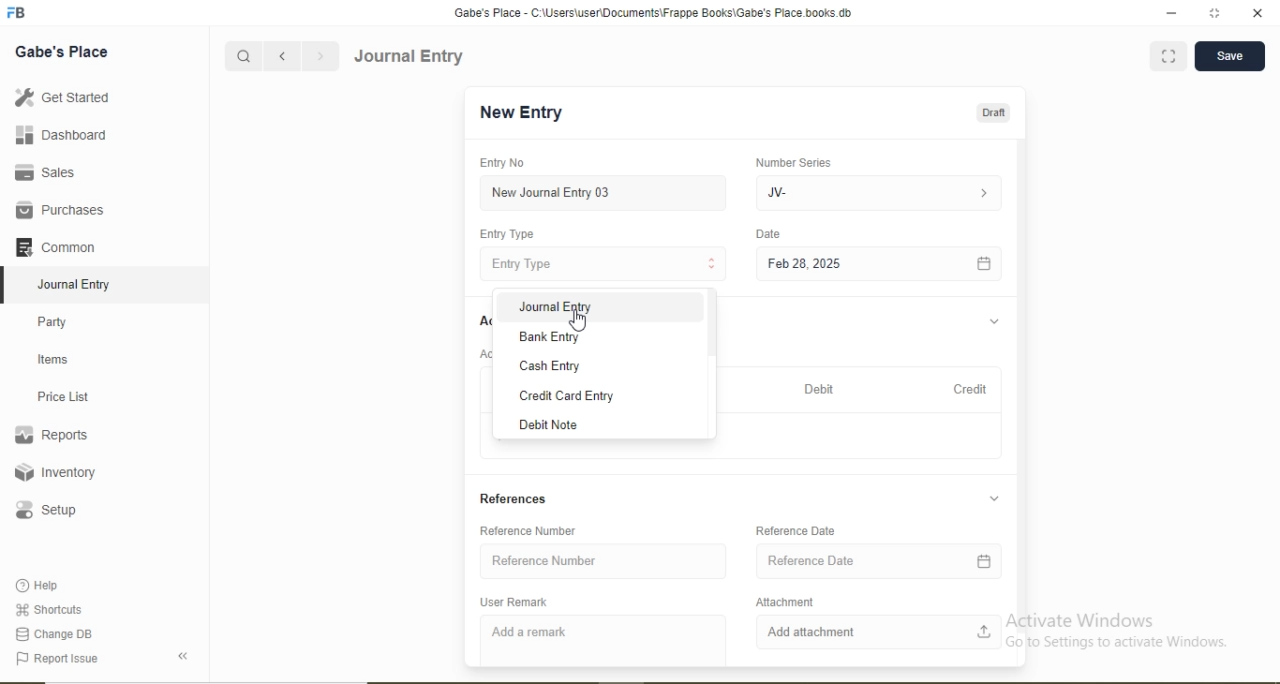 The image size is (1280, 684). Describe the element at coordinates (76, 285) in the screenshot. I see `Journal Entry` at that location.